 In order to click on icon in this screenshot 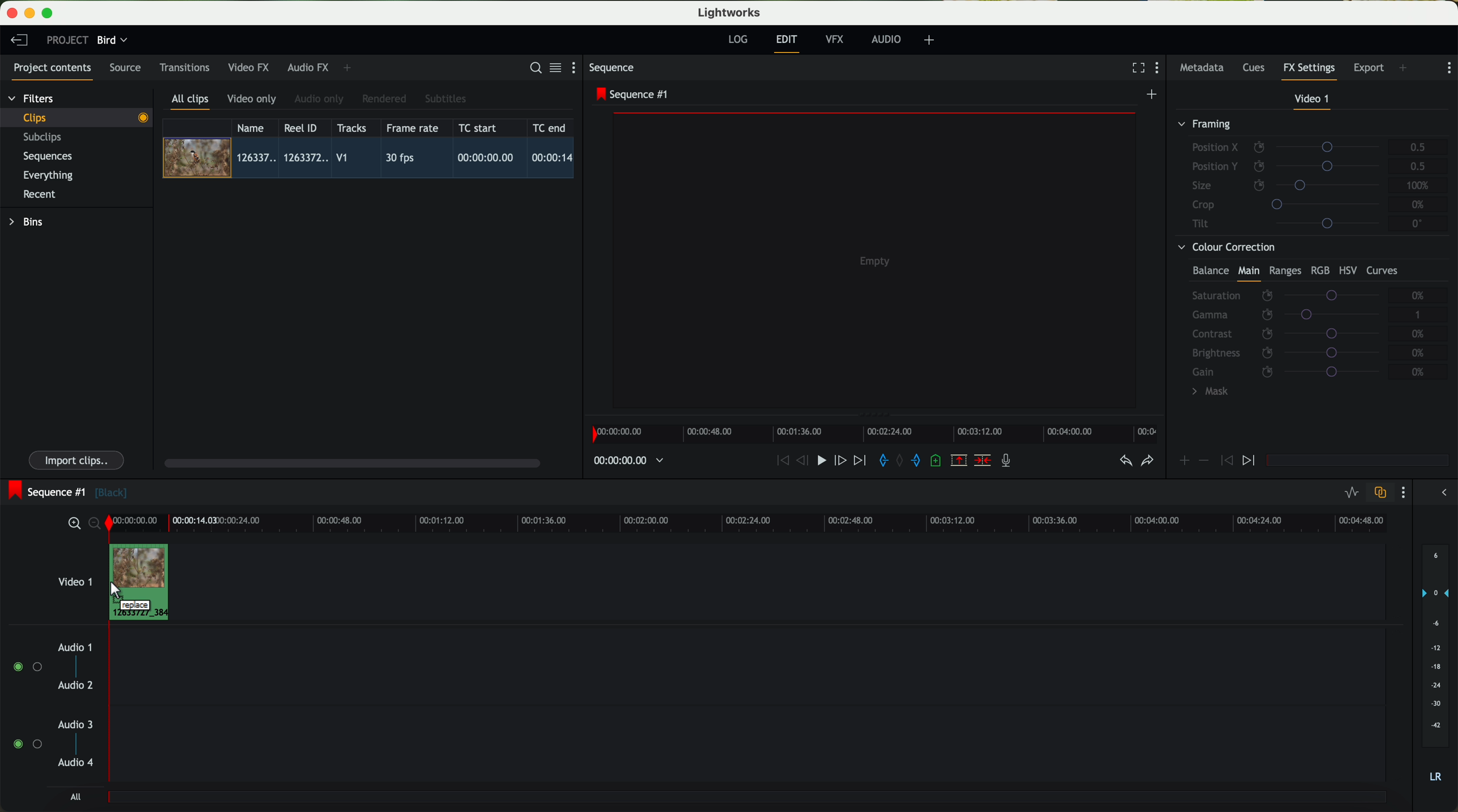, I will do `click(1183, 462)`.